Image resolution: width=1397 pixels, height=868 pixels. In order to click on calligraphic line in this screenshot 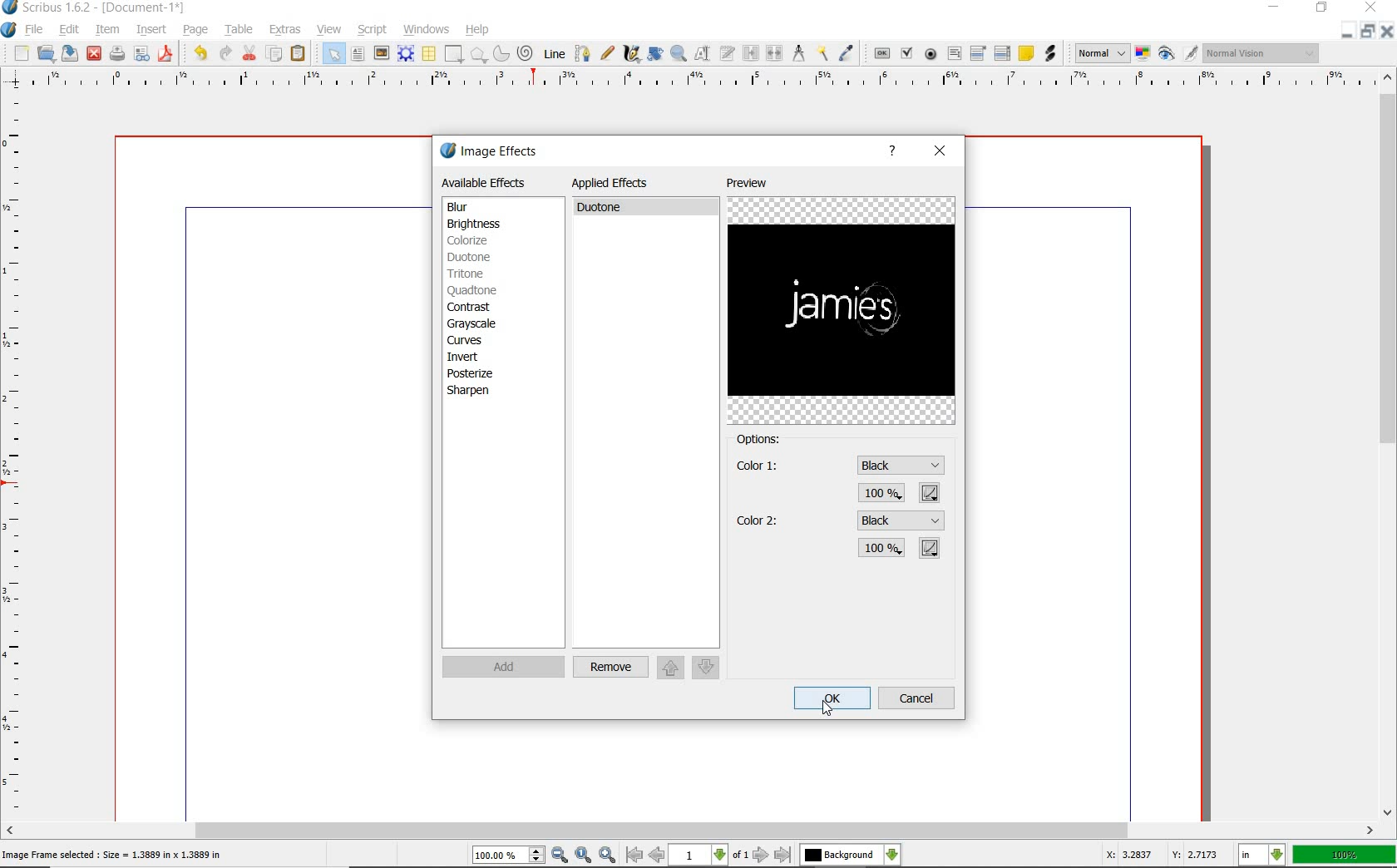, I will do `click(634, 55)`.